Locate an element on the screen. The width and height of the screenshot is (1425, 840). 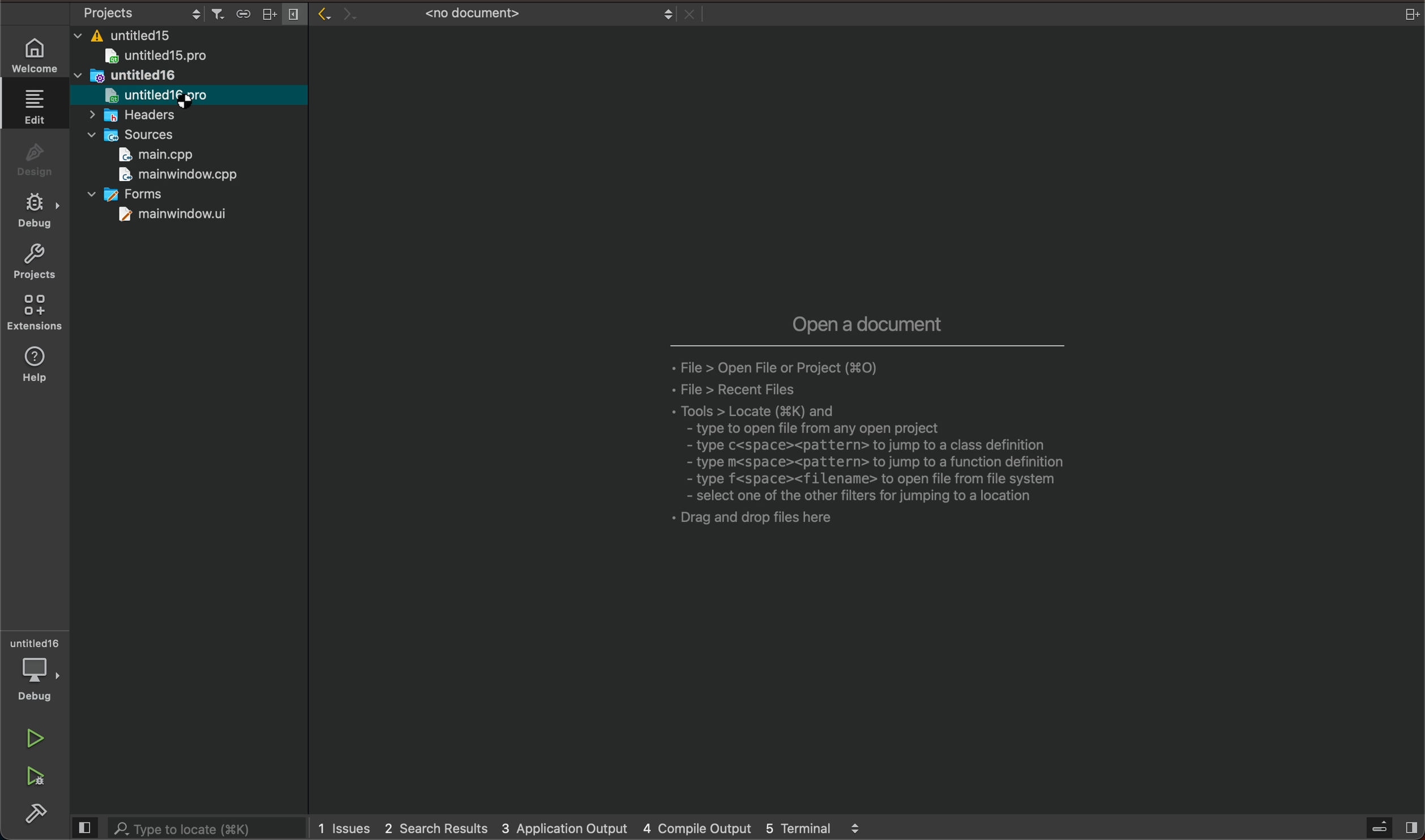
open sidebar is located at coordinates (1388, 828).